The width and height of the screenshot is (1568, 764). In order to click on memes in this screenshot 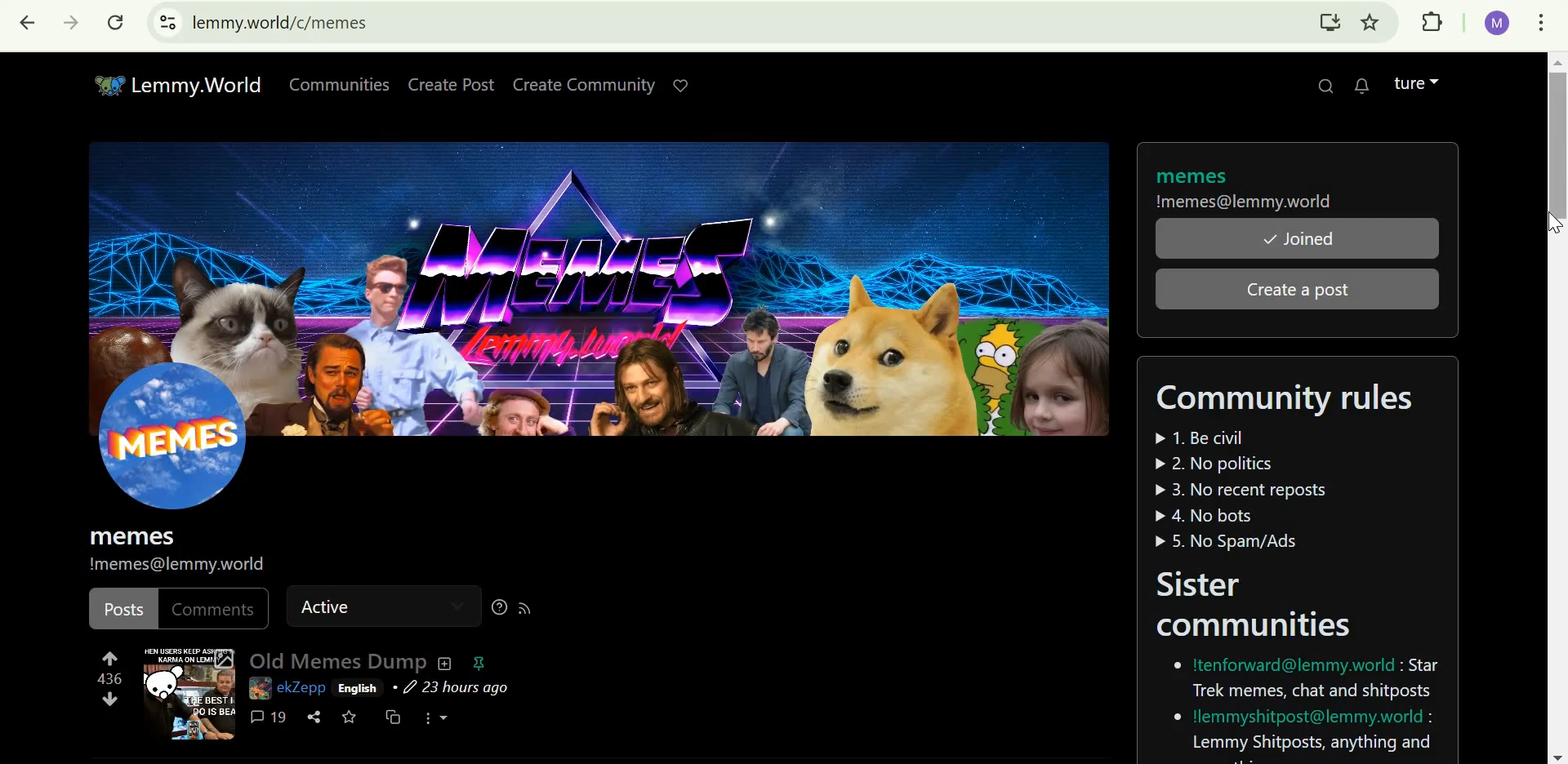, I will do `click(1189, 176)`.